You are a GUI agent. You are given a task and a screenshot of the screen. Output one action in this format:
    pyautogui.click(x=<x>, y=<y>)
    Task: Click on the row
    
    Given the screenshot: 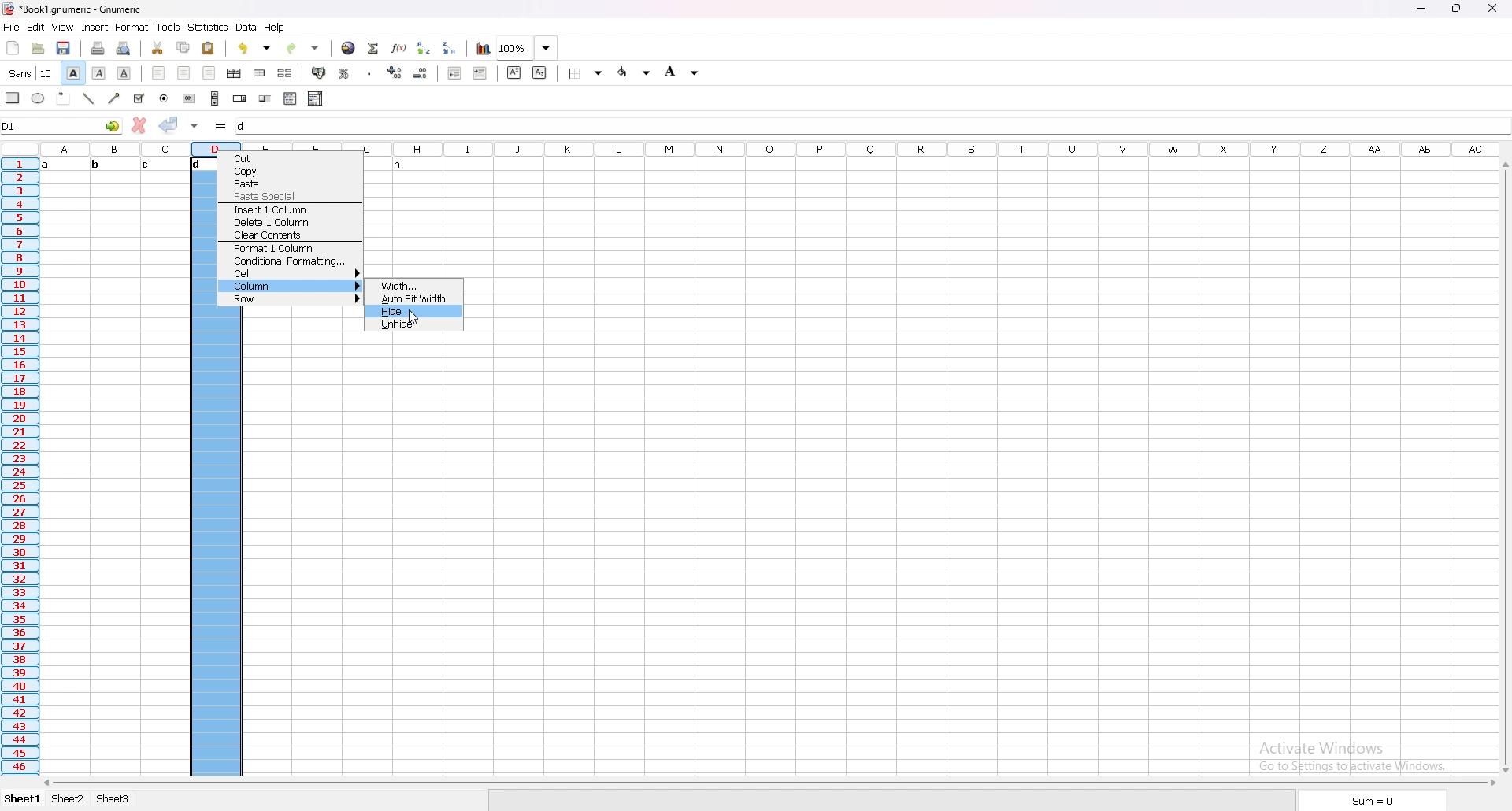 What is the action you would take?
    pyautogui.click(x=289, y=299)
    